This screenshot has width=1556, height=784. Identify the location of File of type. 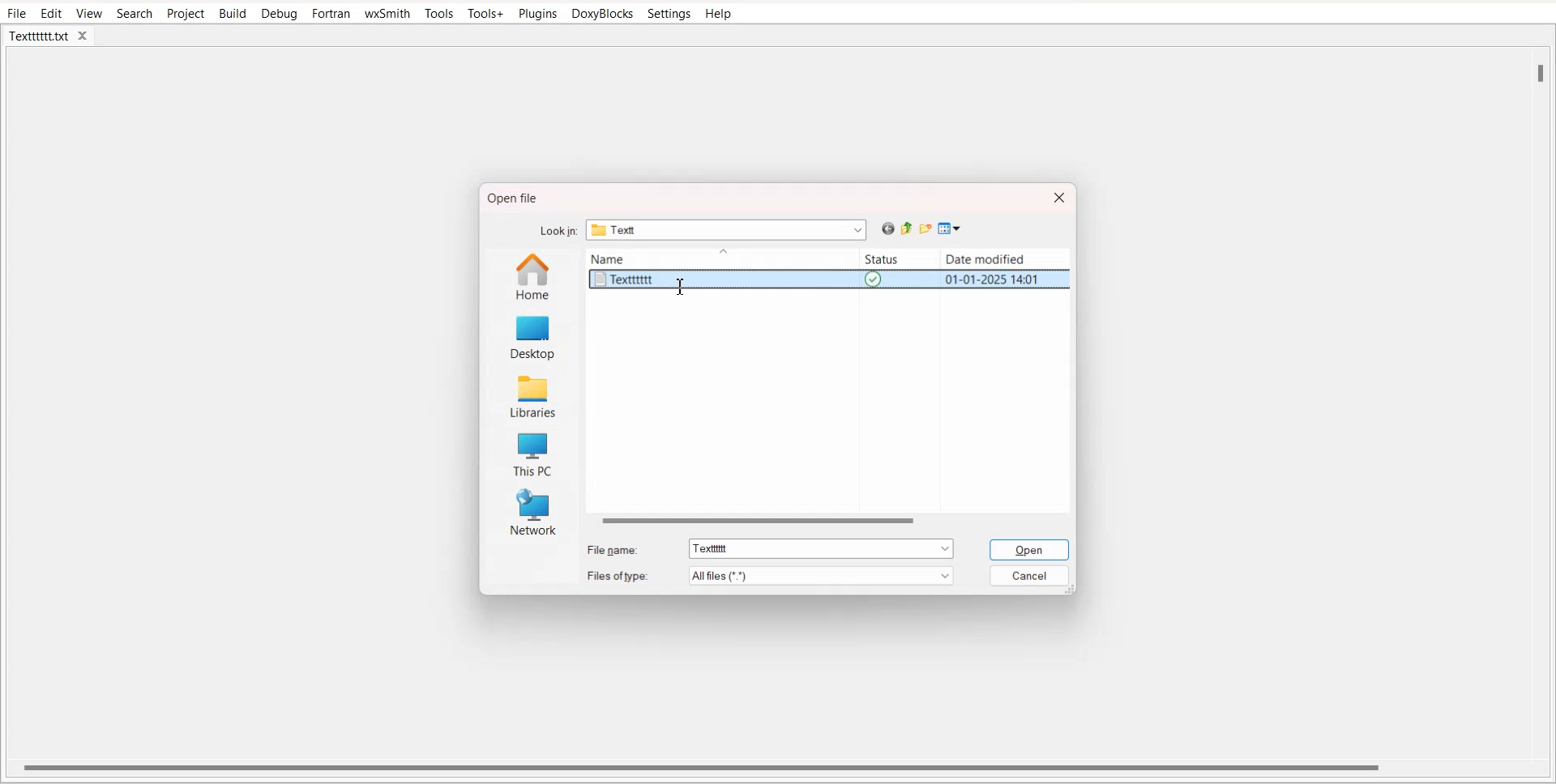
(770, 577).